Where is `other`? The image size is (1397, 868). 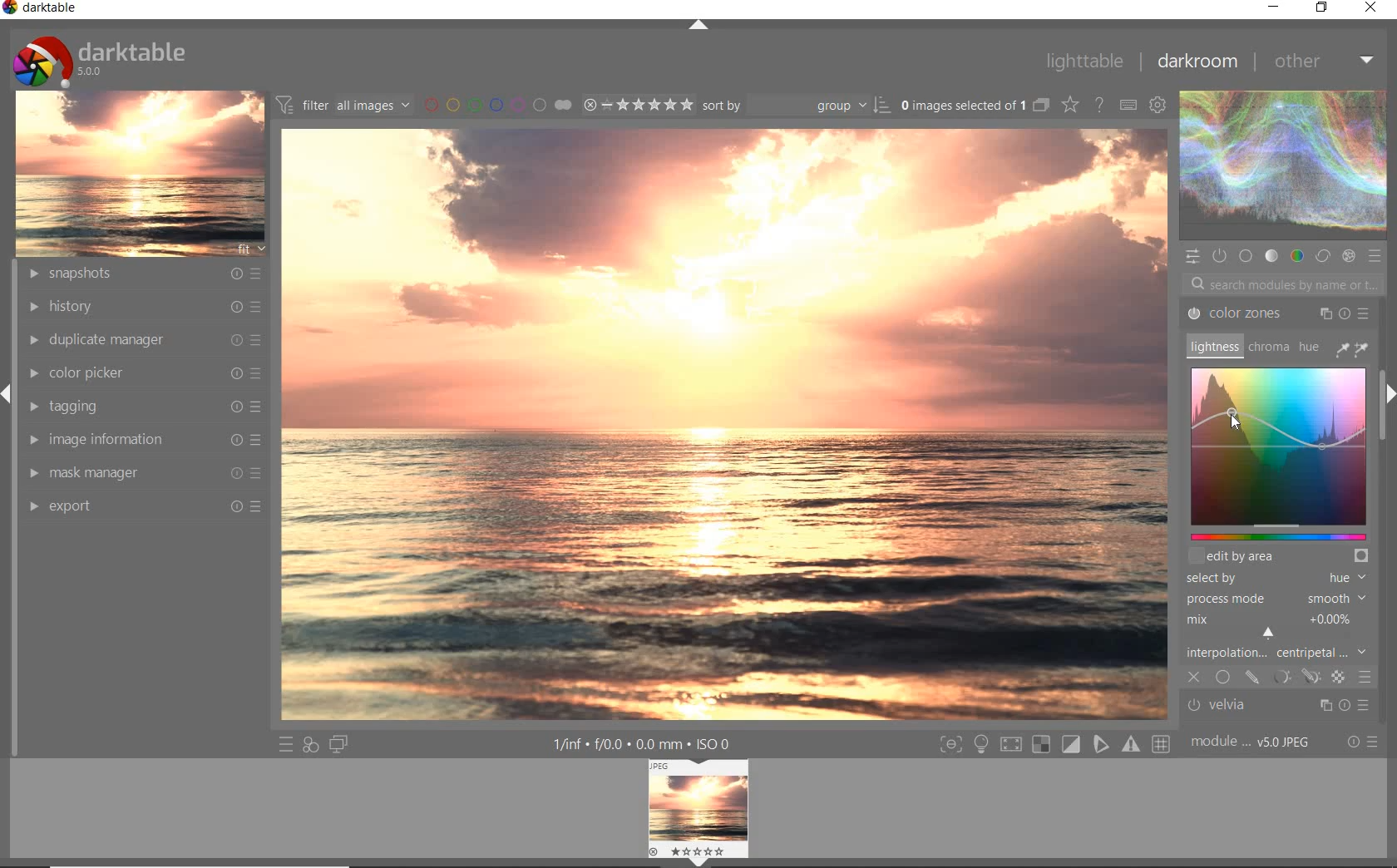 other is located at coordinates (1326, 65).